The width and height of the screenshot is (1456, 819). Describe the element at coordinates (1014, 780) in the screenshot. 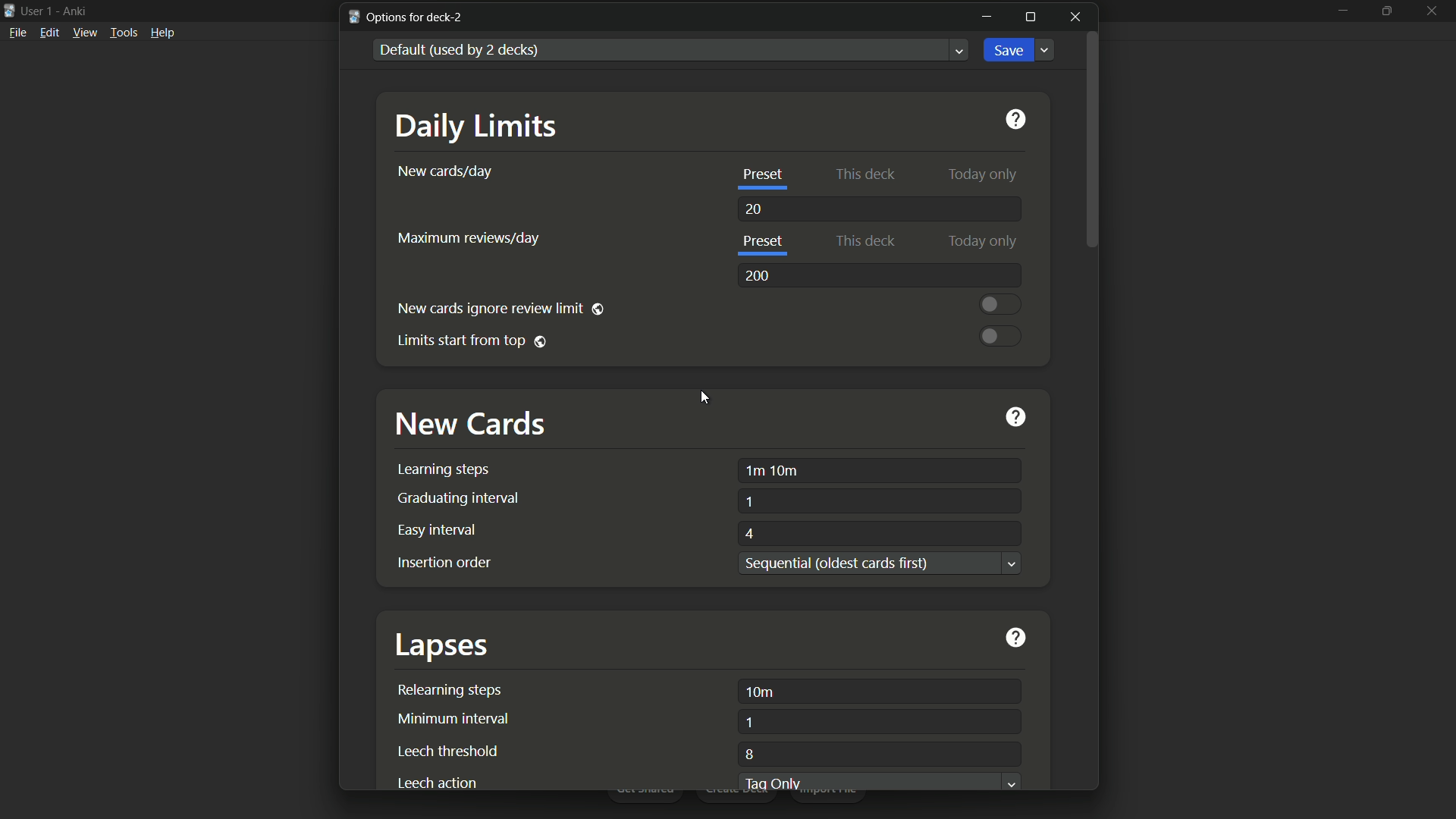

I see `Dropdown` at that location.